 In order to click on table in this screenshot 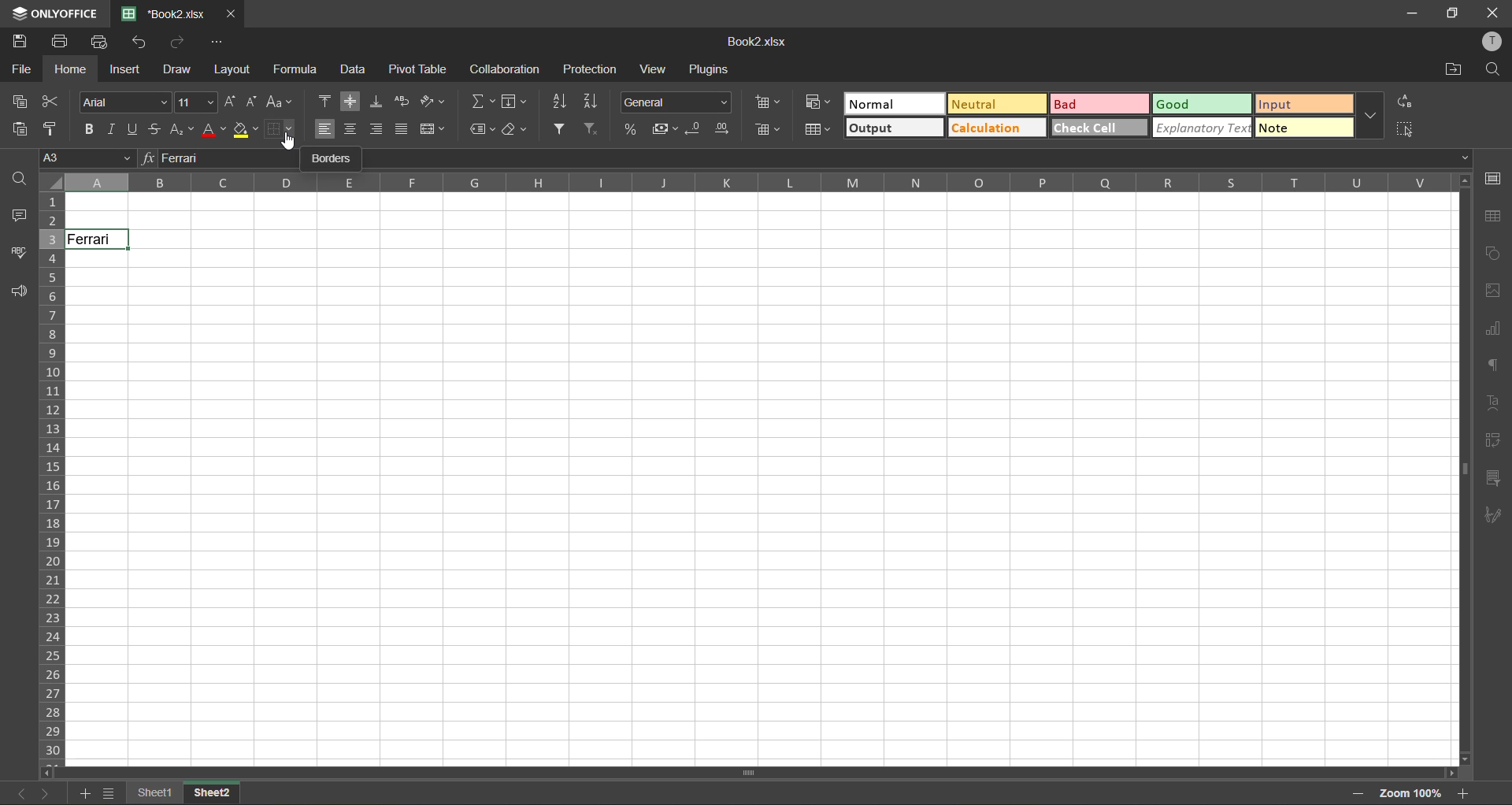, I will do `click(1492, 216)`.